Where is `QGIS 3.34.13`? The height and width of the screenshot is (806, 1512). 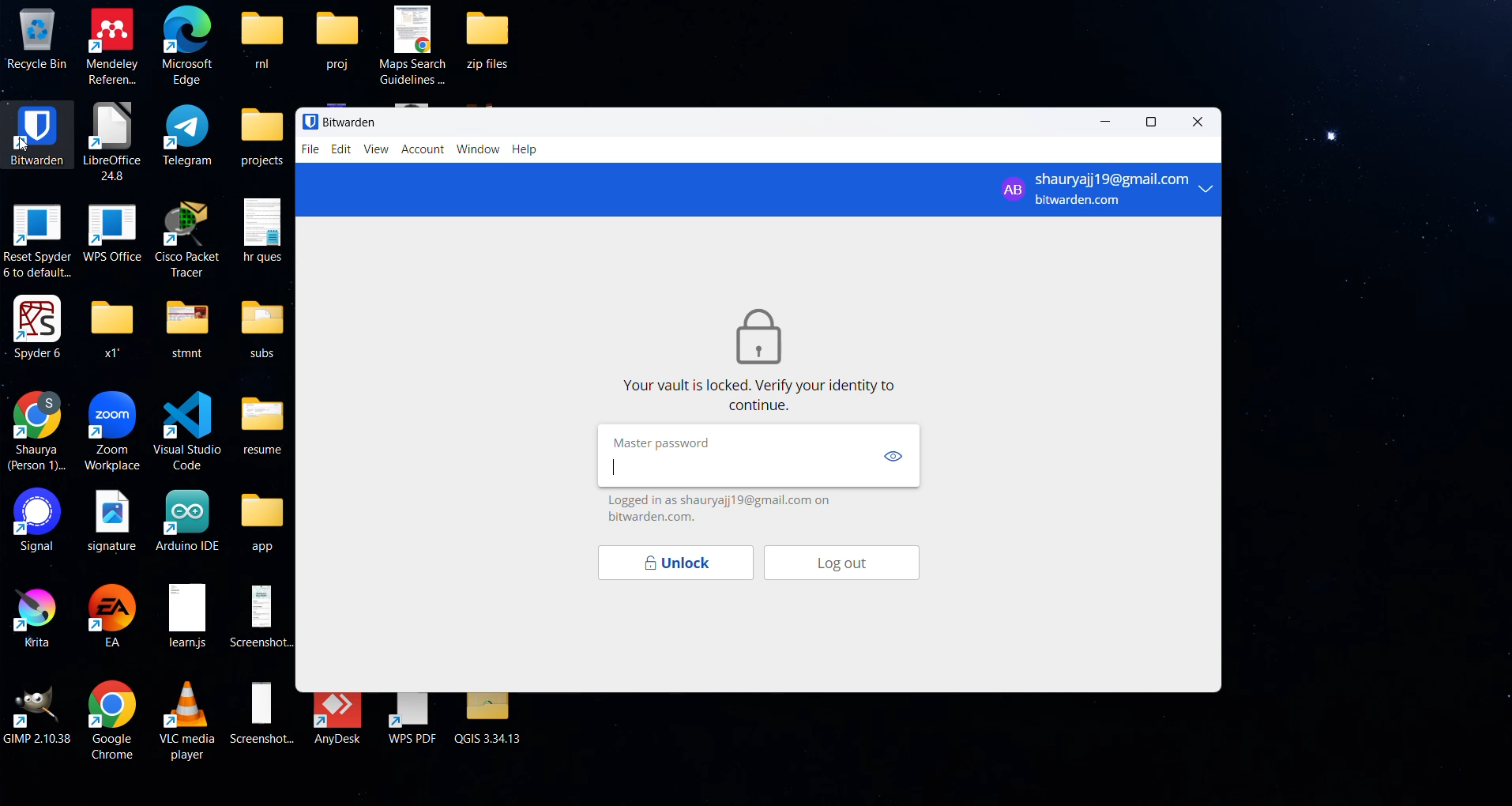 QGIS 3.34.13 is located at coordinates (491, 720).